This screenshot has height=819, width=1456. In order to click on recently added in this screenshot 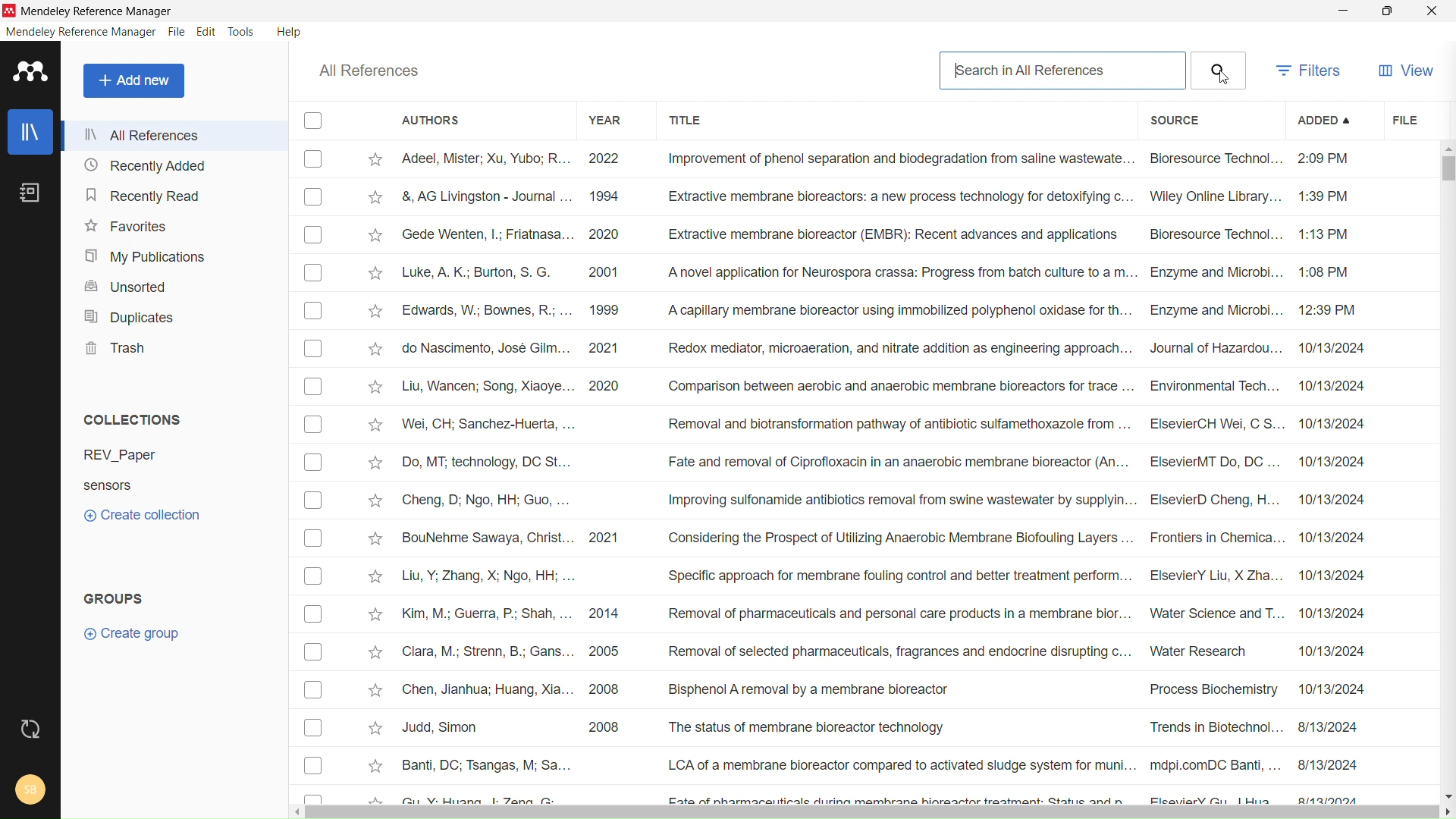, I will do `click(175, 165)`.